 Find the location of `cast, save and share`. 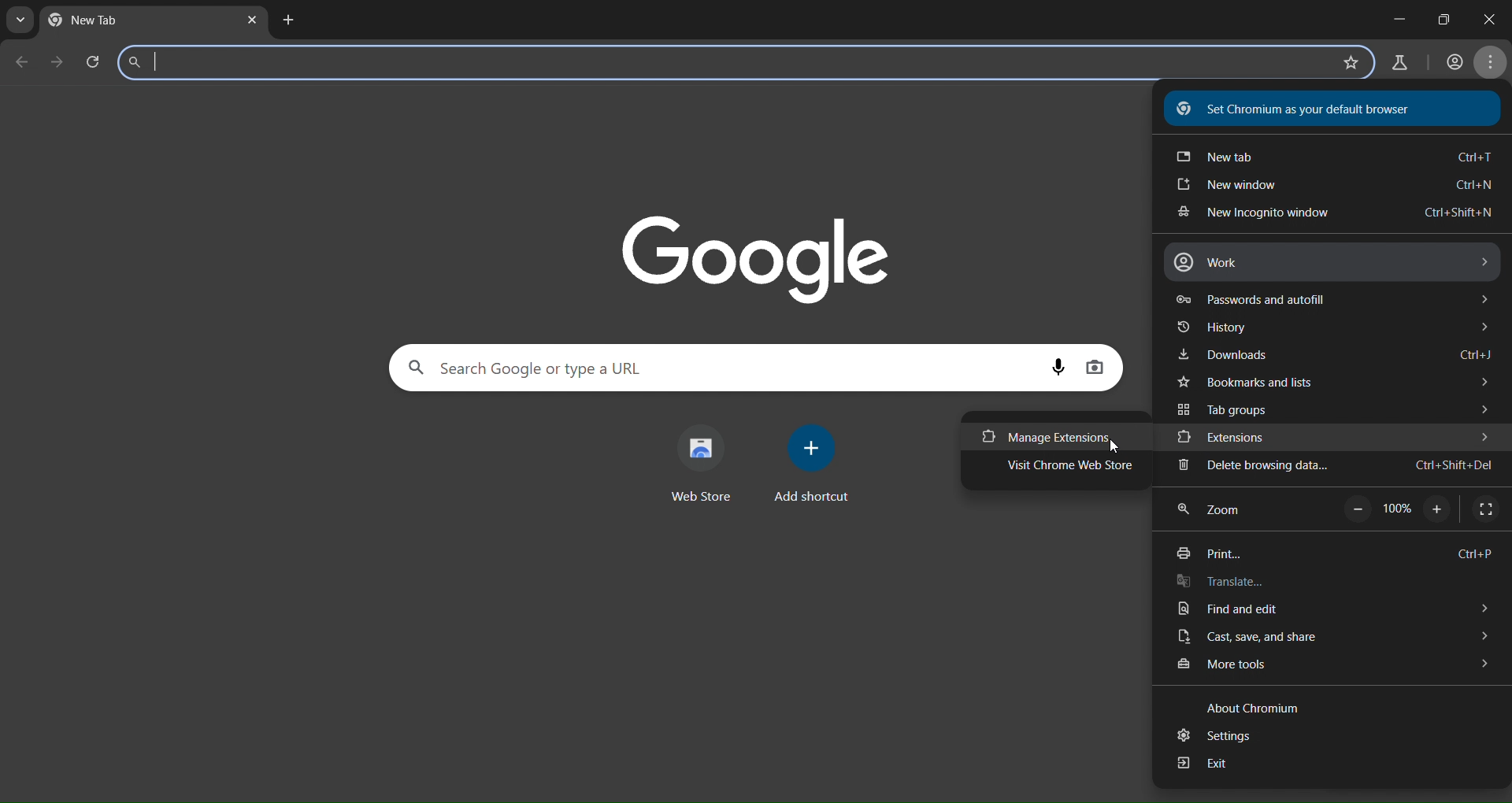

cast, save and share is located at coordinates (1332, 637).